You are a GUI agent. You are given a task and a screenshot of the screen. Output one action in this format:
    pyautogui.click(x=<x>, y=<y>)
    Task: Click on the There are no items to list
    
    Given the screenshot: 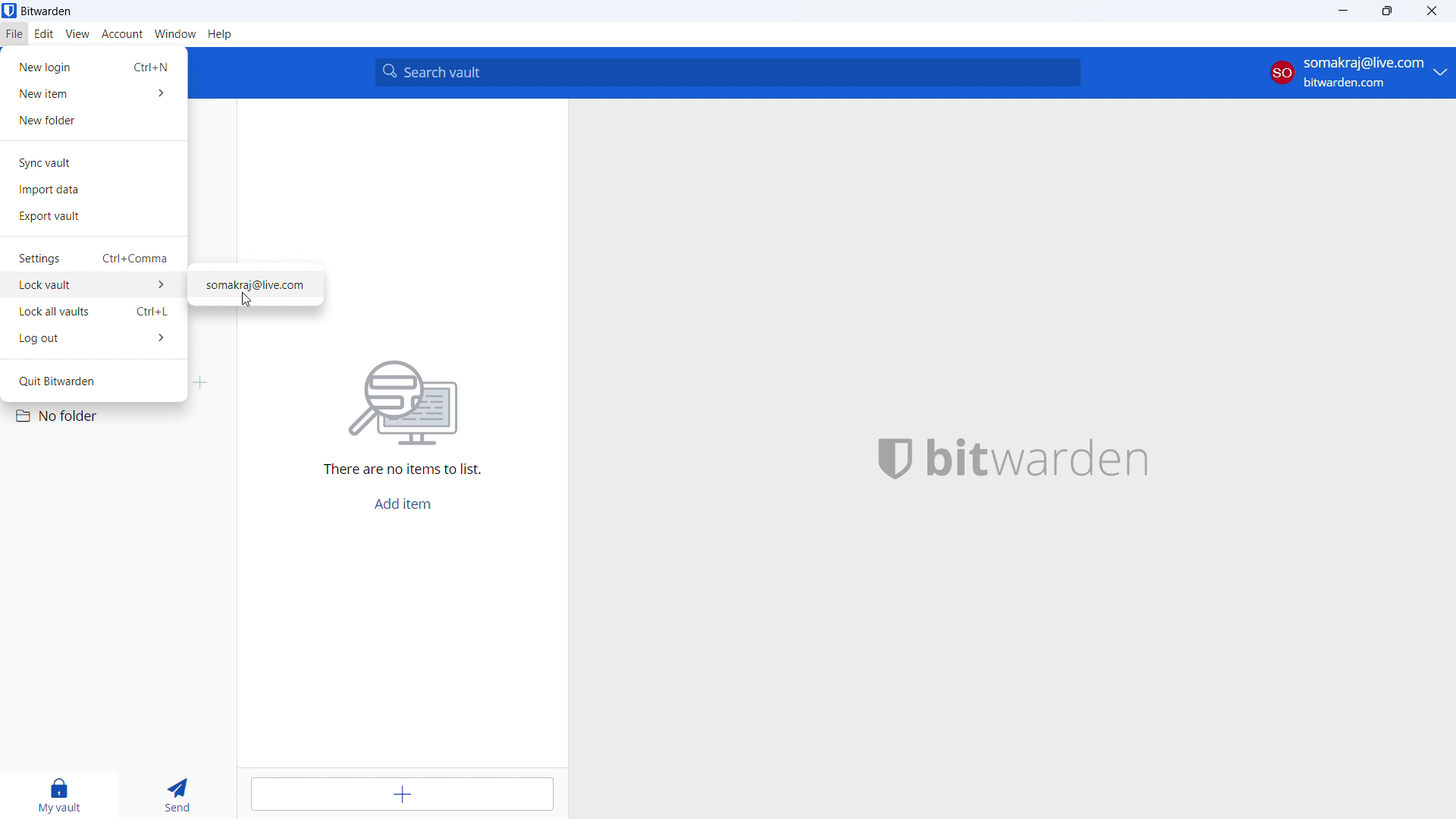 What is the action you would take?
    pyautogui.click(x=406, y=468)
    